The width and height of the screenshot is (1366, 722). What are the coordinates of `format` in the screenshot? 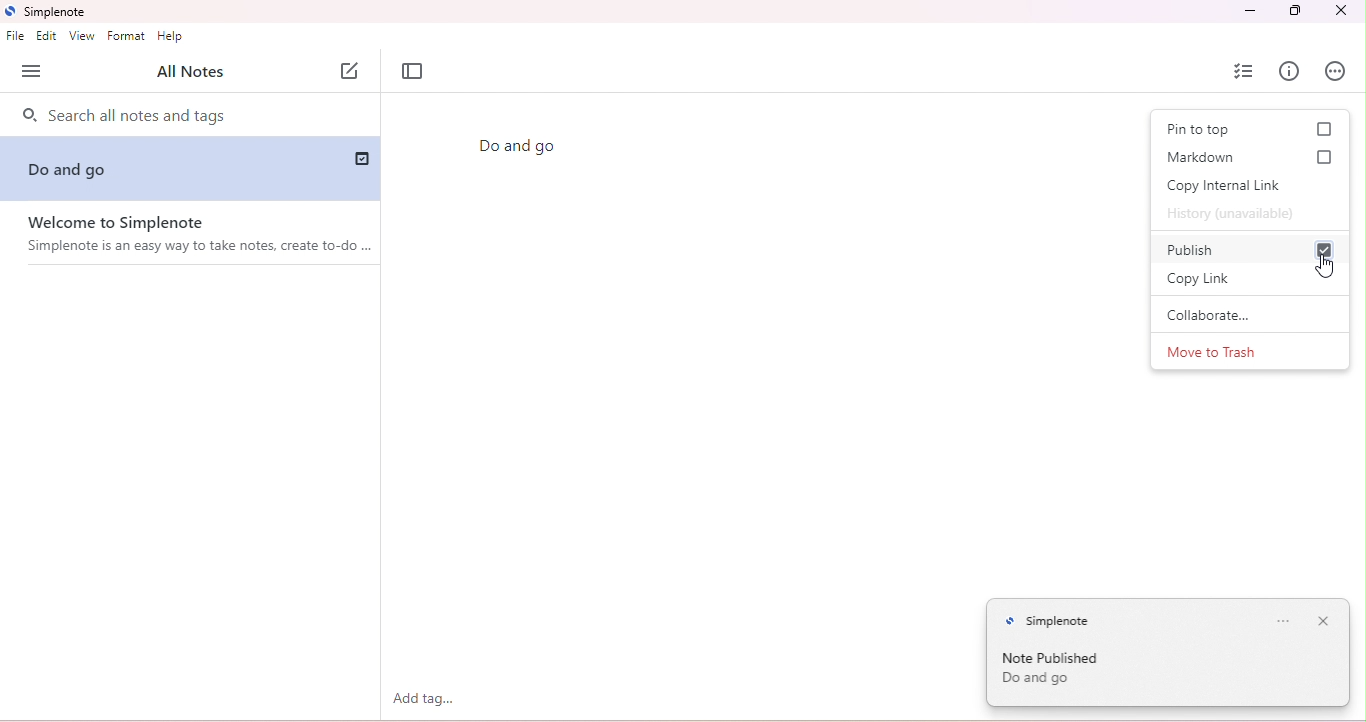 It's located at (127, 35).